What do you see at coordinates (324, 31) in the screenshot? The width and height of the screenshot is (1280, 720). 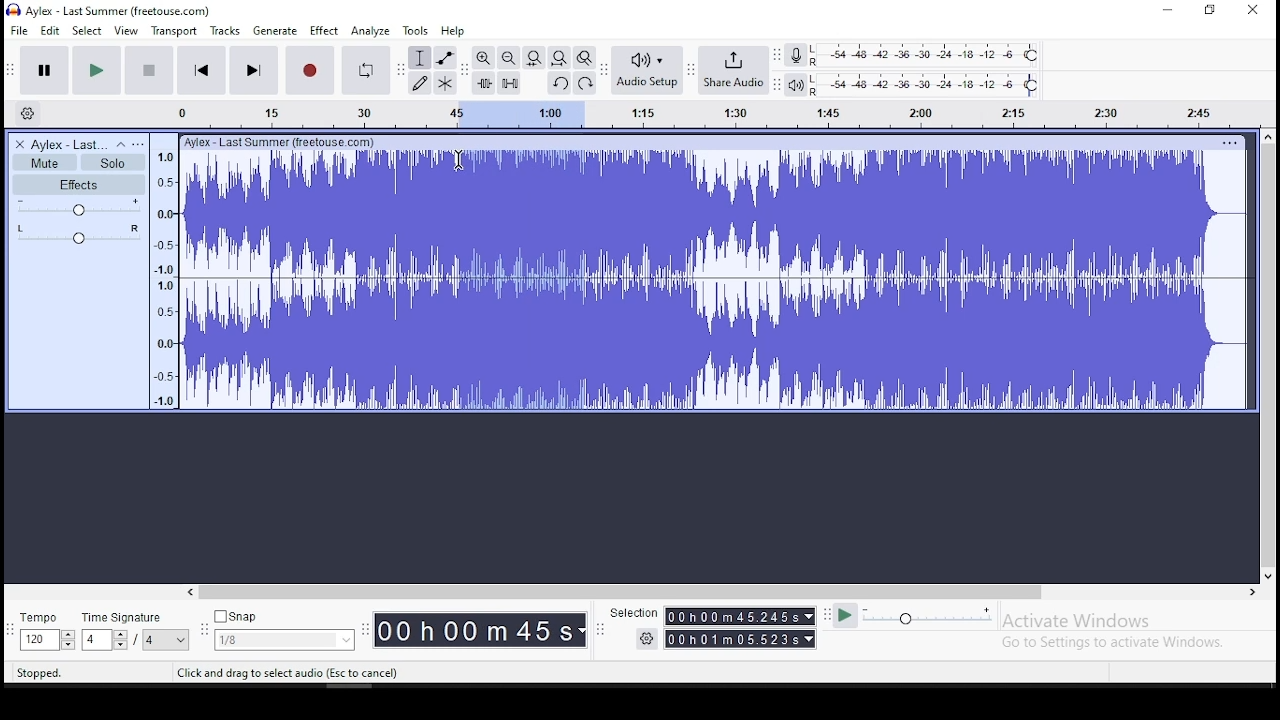 I see `effect` at bounding box center [324, 31].